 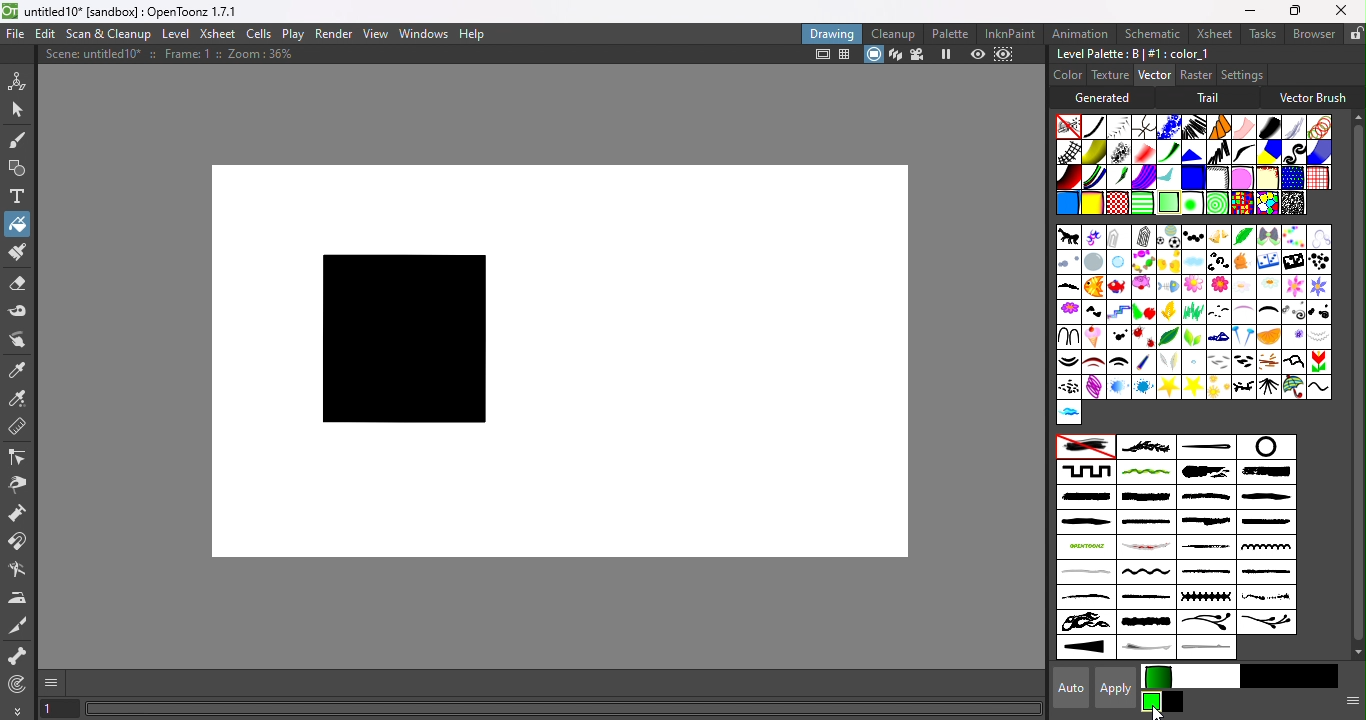 I want to click on Chick, so click(x=1167, y=261).